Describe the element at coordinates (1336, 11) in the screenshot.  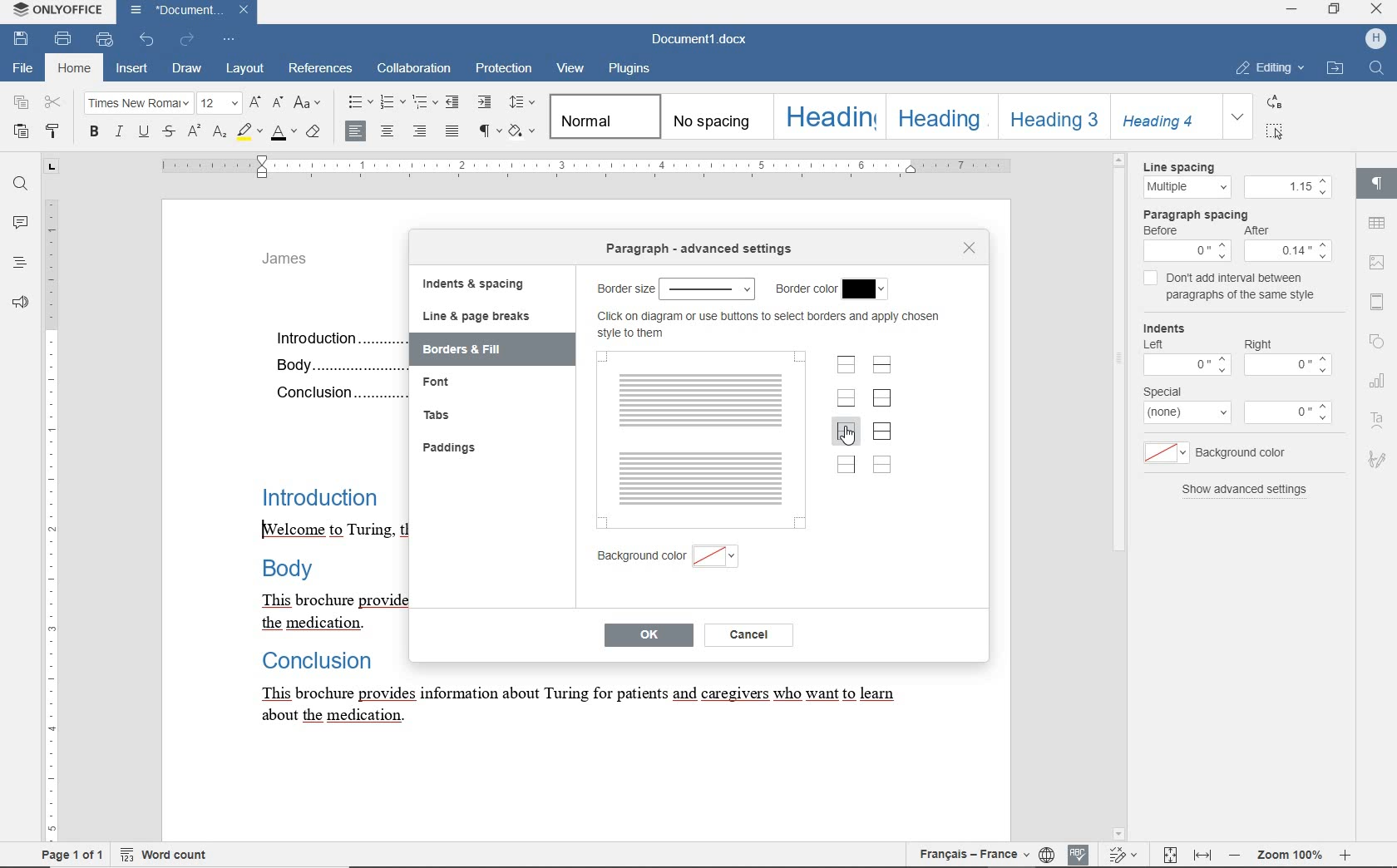
I see `restore down` at that location.